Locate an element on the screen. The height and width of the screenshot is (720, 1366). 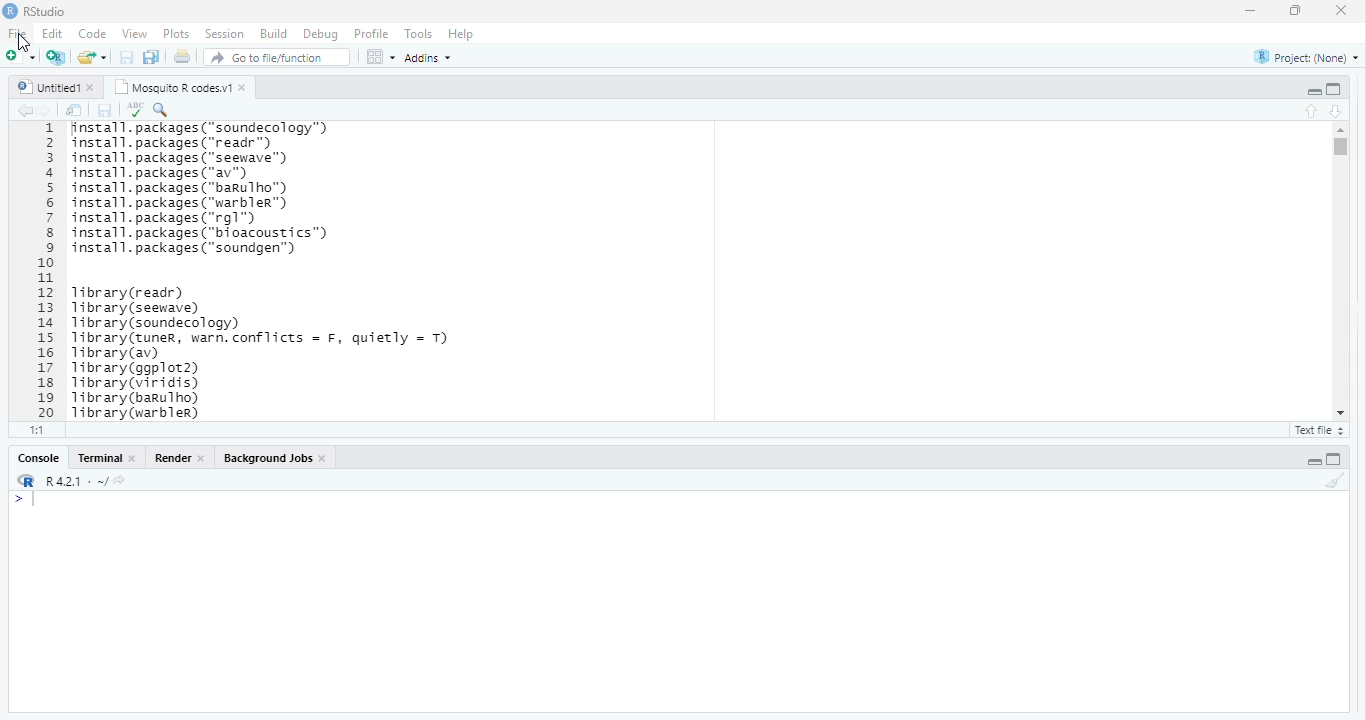
Edit is located at coordinates (54, 33).